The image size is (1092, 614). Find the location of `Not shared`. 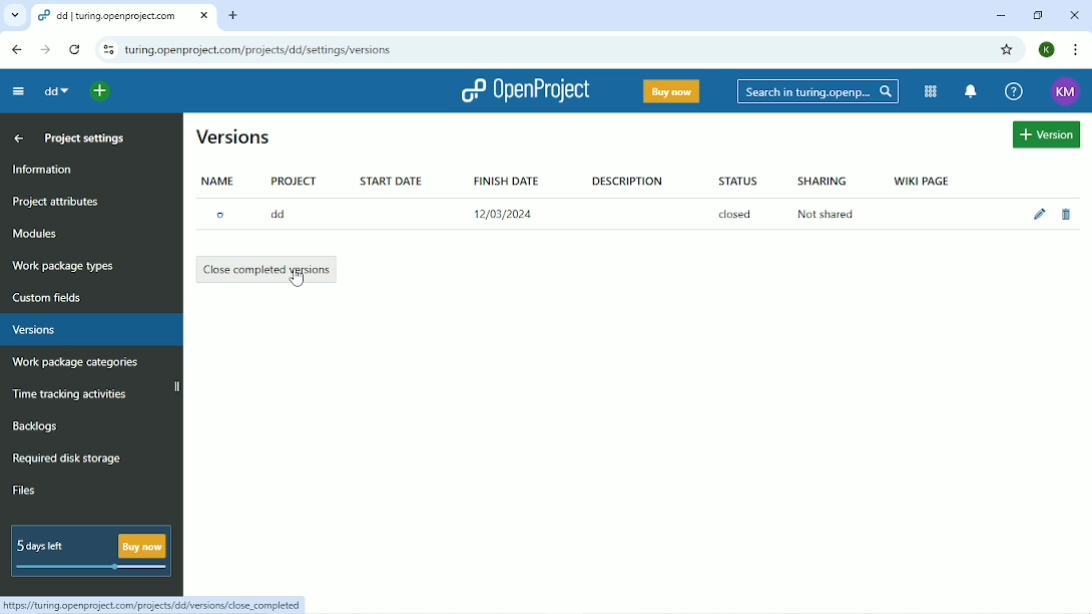

Not shared is located at coordinates (821, 214).